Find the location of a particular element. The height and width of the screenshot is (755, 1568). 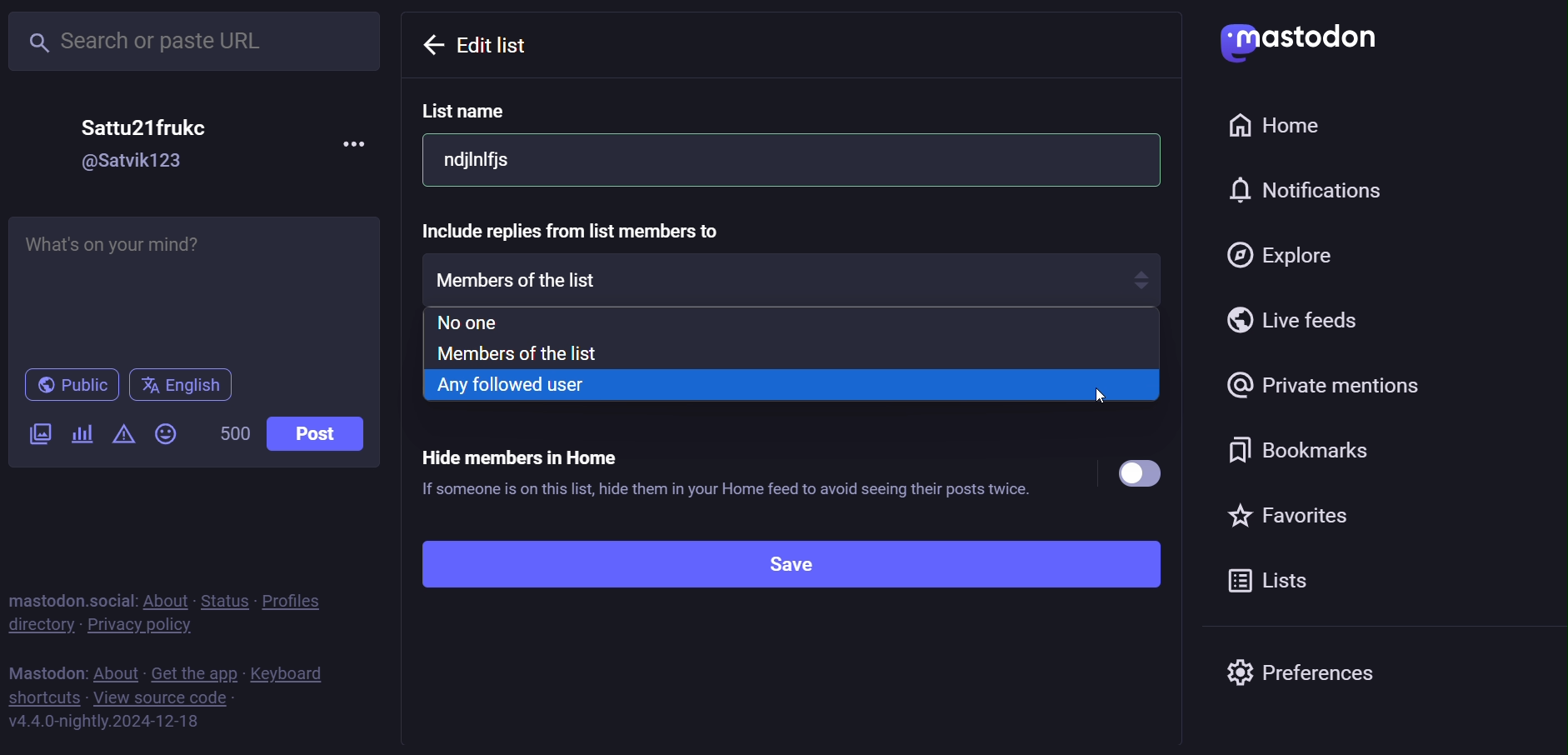

live feed is located at coordinates (1291, 320).